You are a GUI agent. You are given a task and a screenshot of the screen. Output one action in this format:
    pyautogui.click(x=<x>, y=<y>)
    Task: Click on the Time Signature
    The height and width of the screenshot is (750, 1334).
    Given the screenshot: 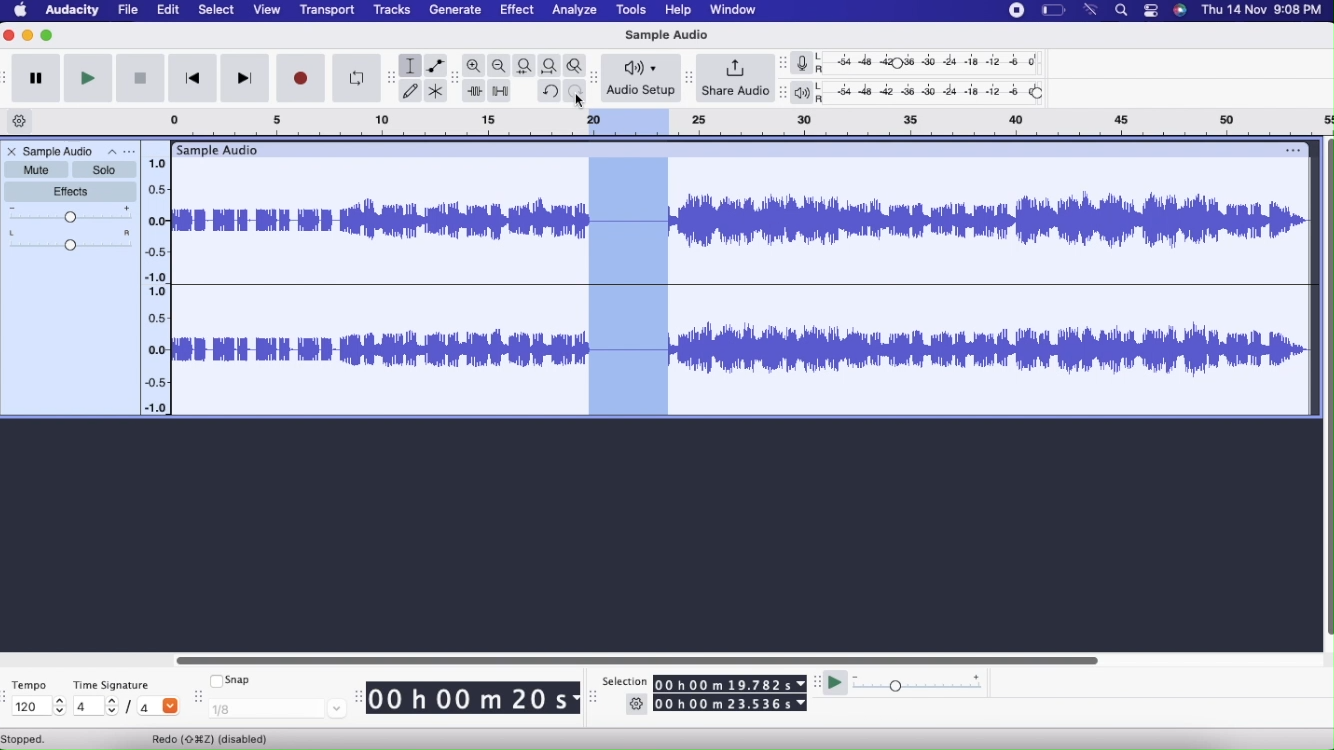 What is the action you would take?
    pyautogui.click(x=113, y=685)
    